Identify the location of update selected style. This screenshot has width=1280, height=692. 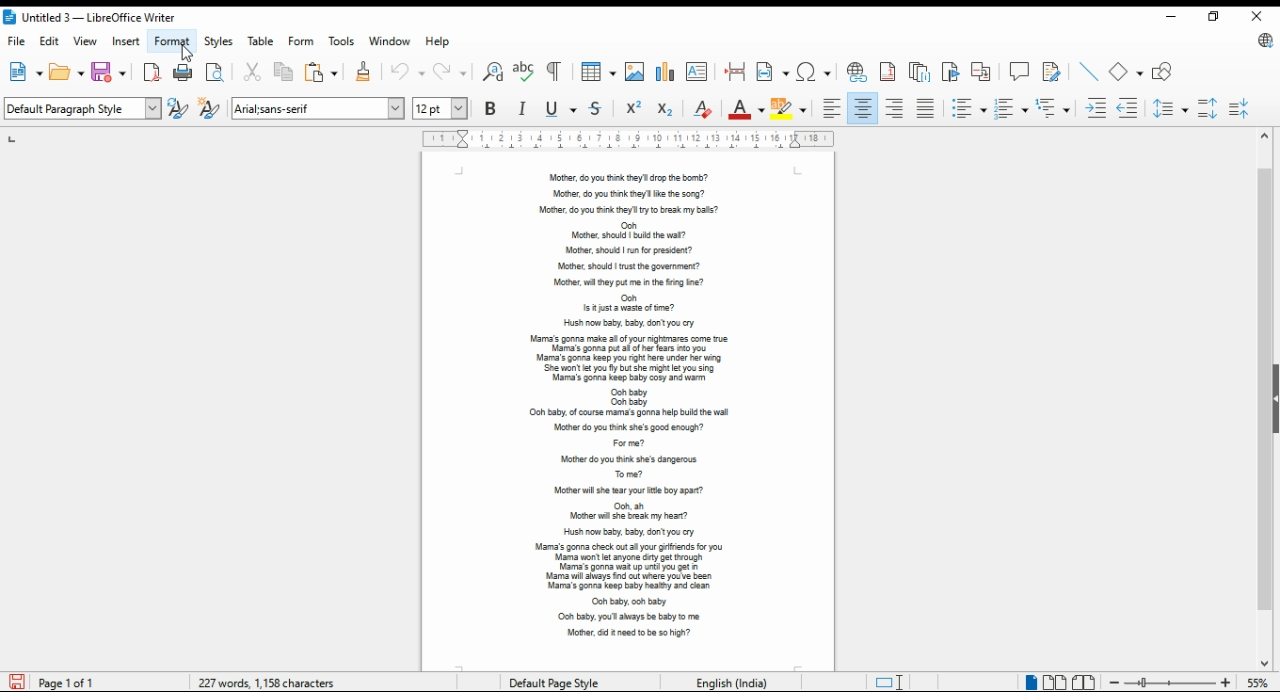
(179, 108).